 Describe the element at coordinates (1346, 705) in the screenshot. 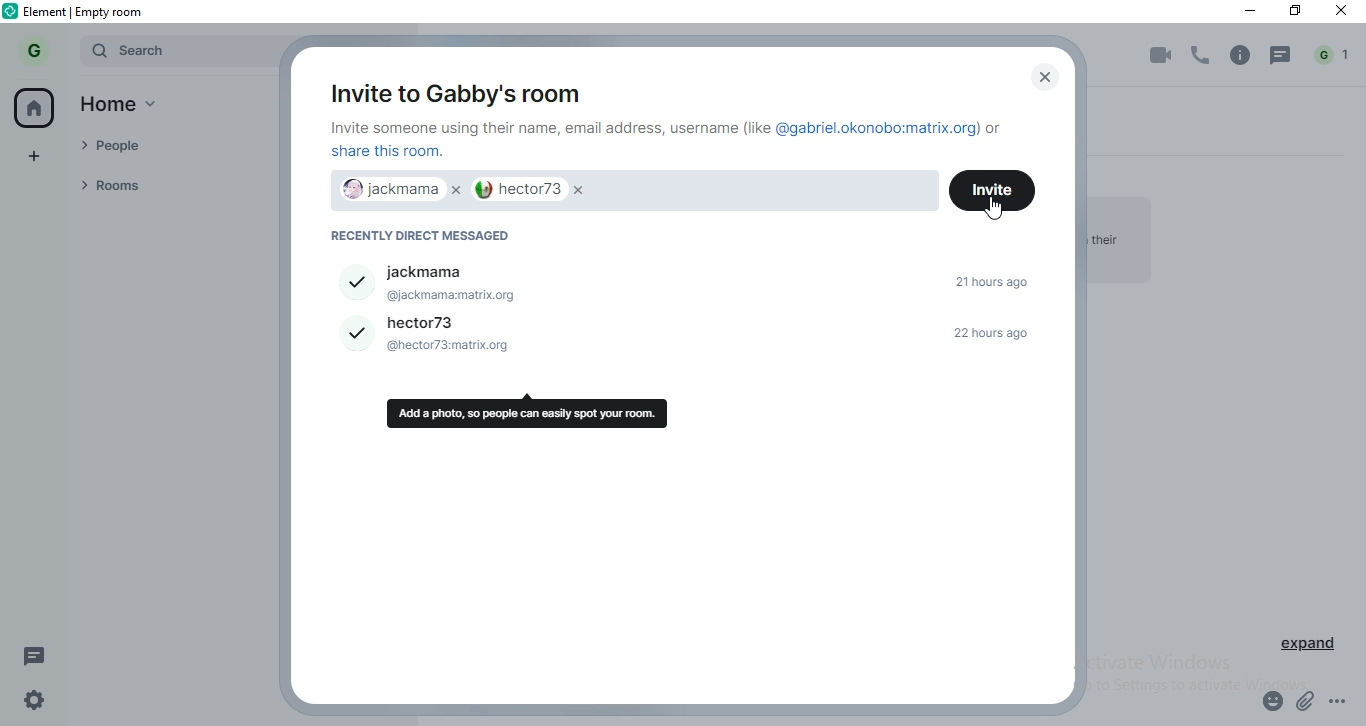

I see `options` at that location.